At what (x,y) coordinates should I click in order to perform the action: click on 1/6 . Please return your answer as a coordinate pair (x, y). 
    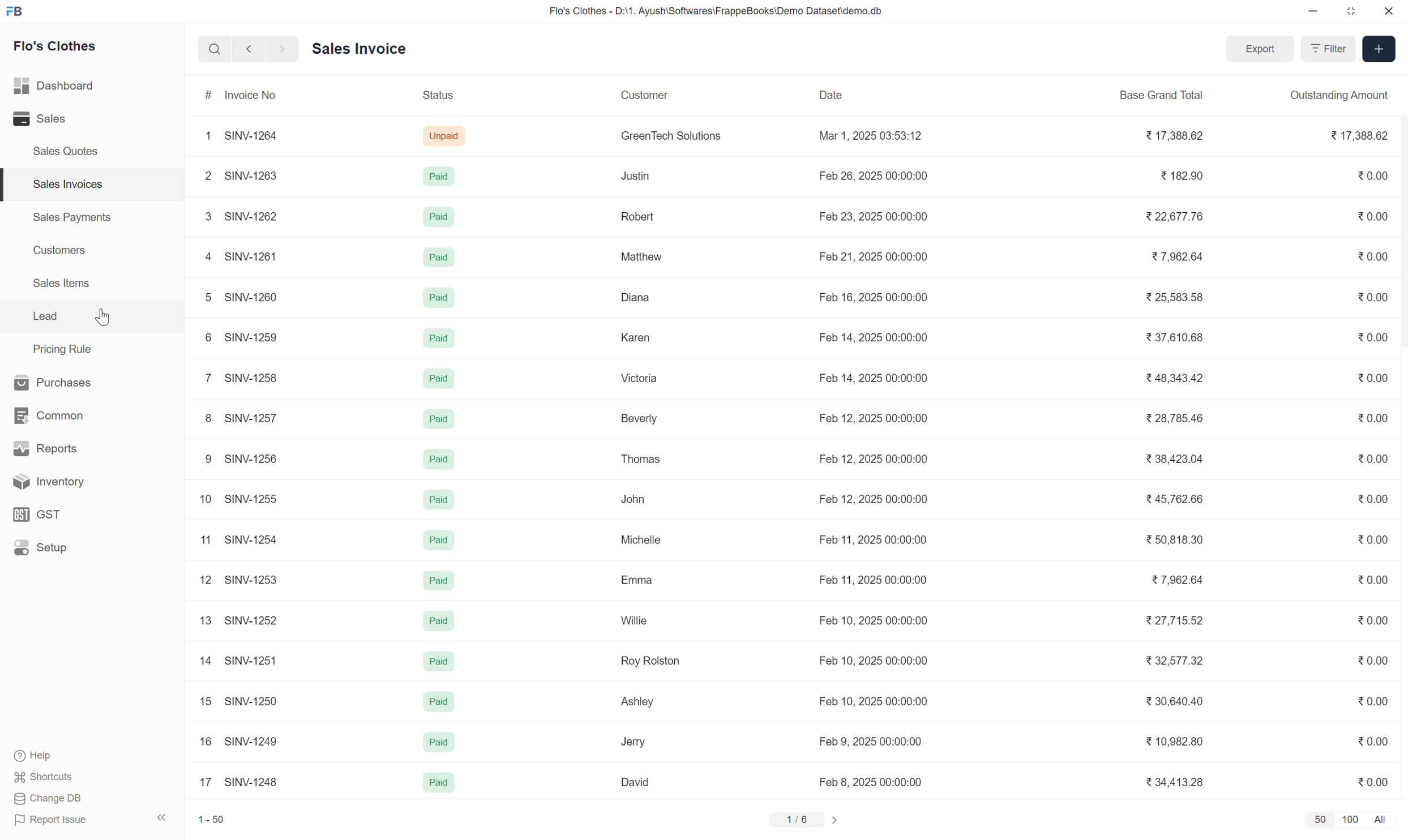
    Looking at the image, I should click on (806, 818).